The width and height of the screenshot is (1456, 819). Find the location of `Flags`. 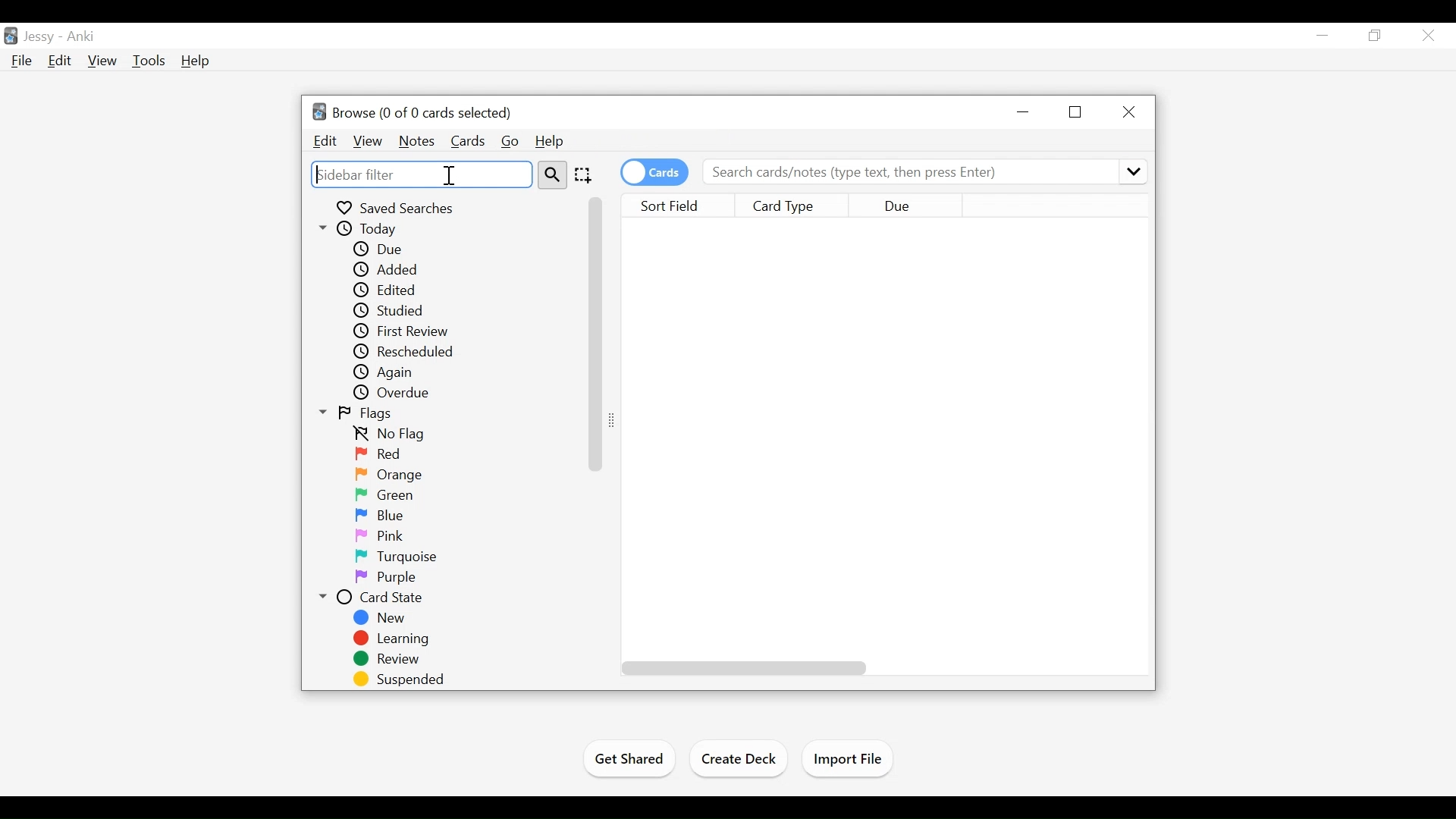

Flags is located at coordinates (359, 413).